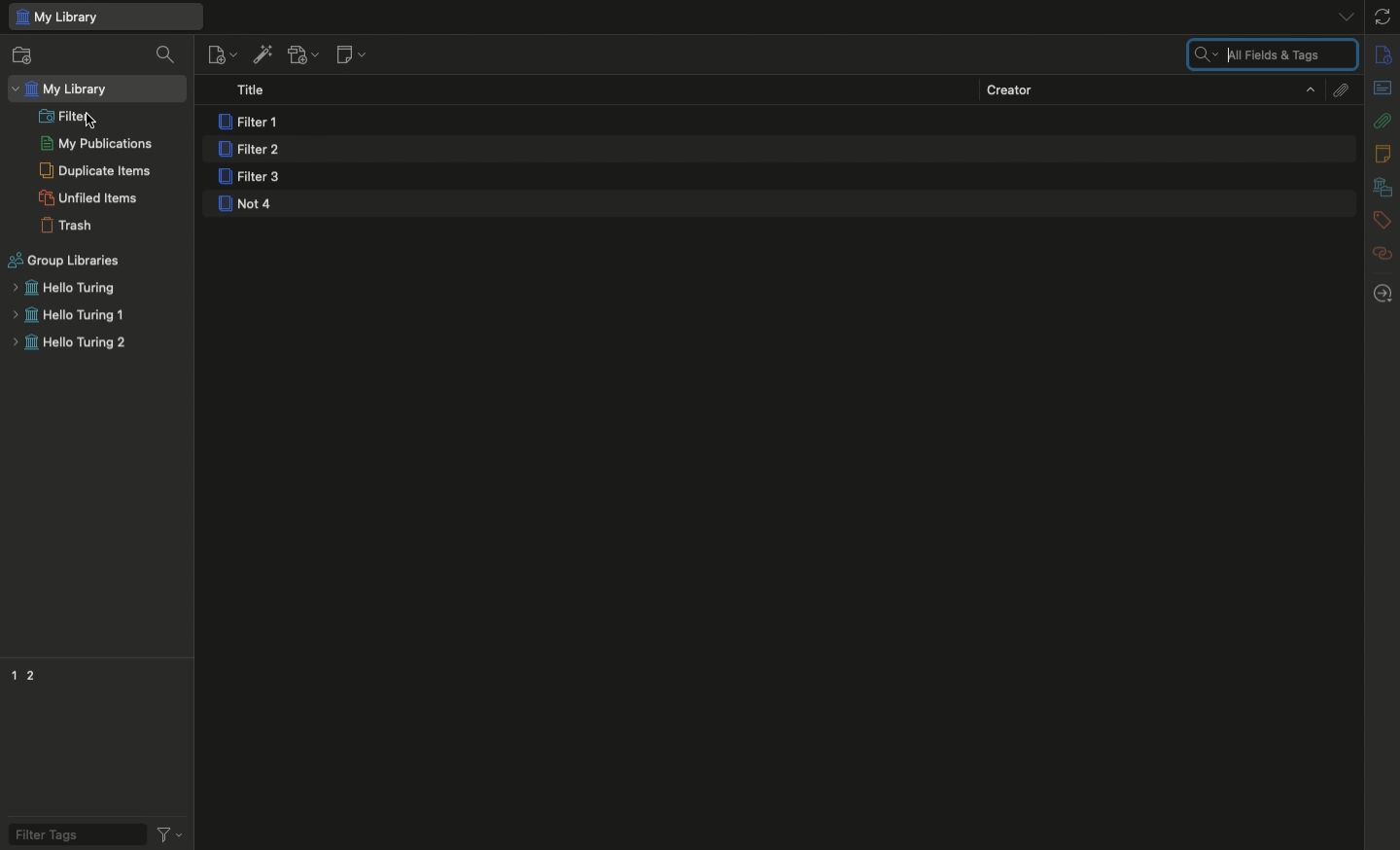 Image resolution: width=1400 pixels, height=850 pixels. Describe the element at coordinates (89, 120) in the screenshot. I see `Clicking on saved filter` at that location.